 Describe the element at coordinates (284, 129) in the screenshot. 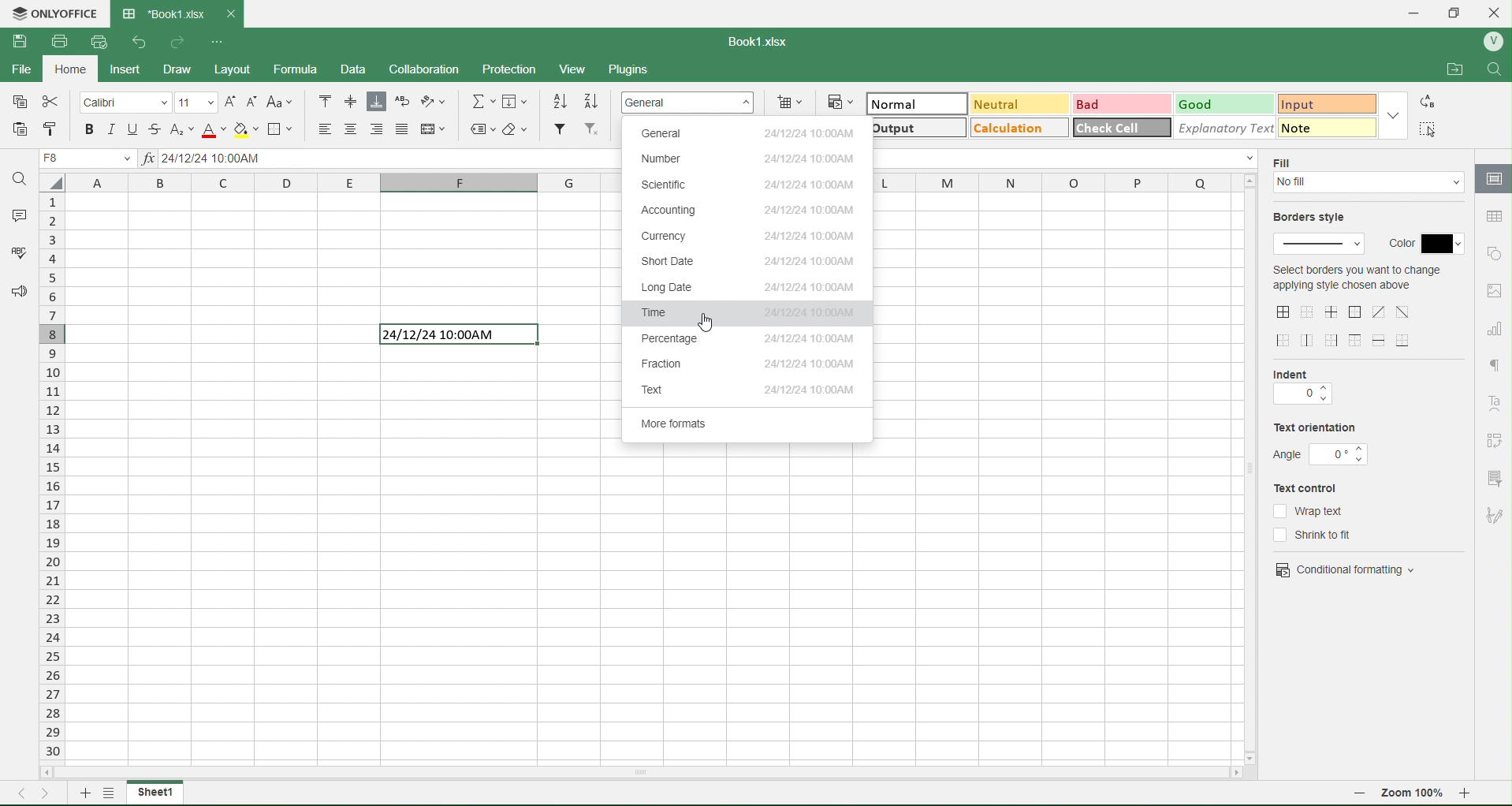

I see `Borders` at that location.